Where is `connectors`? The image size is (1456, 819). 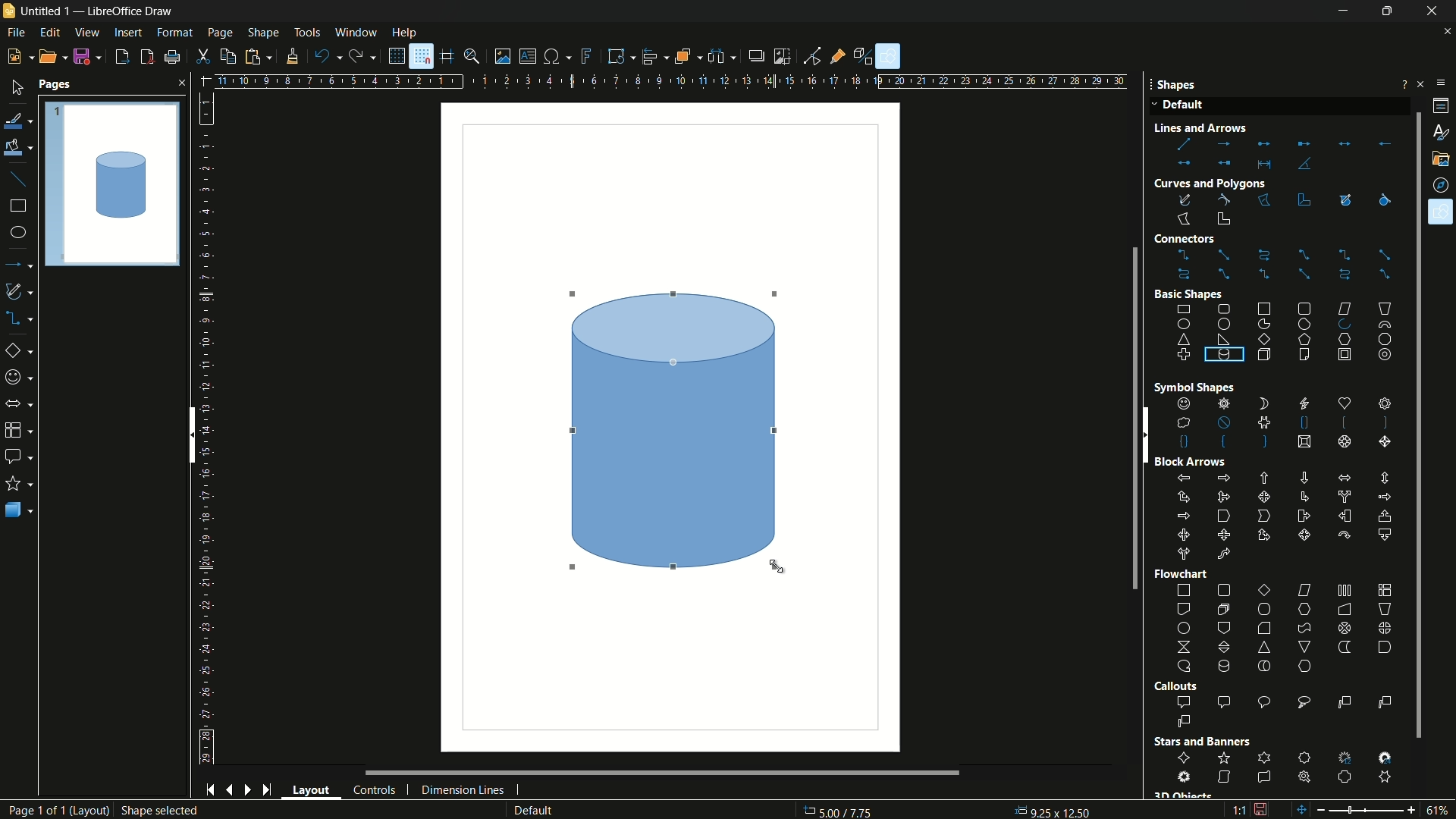 connectors is located at coordinates (22, 318).